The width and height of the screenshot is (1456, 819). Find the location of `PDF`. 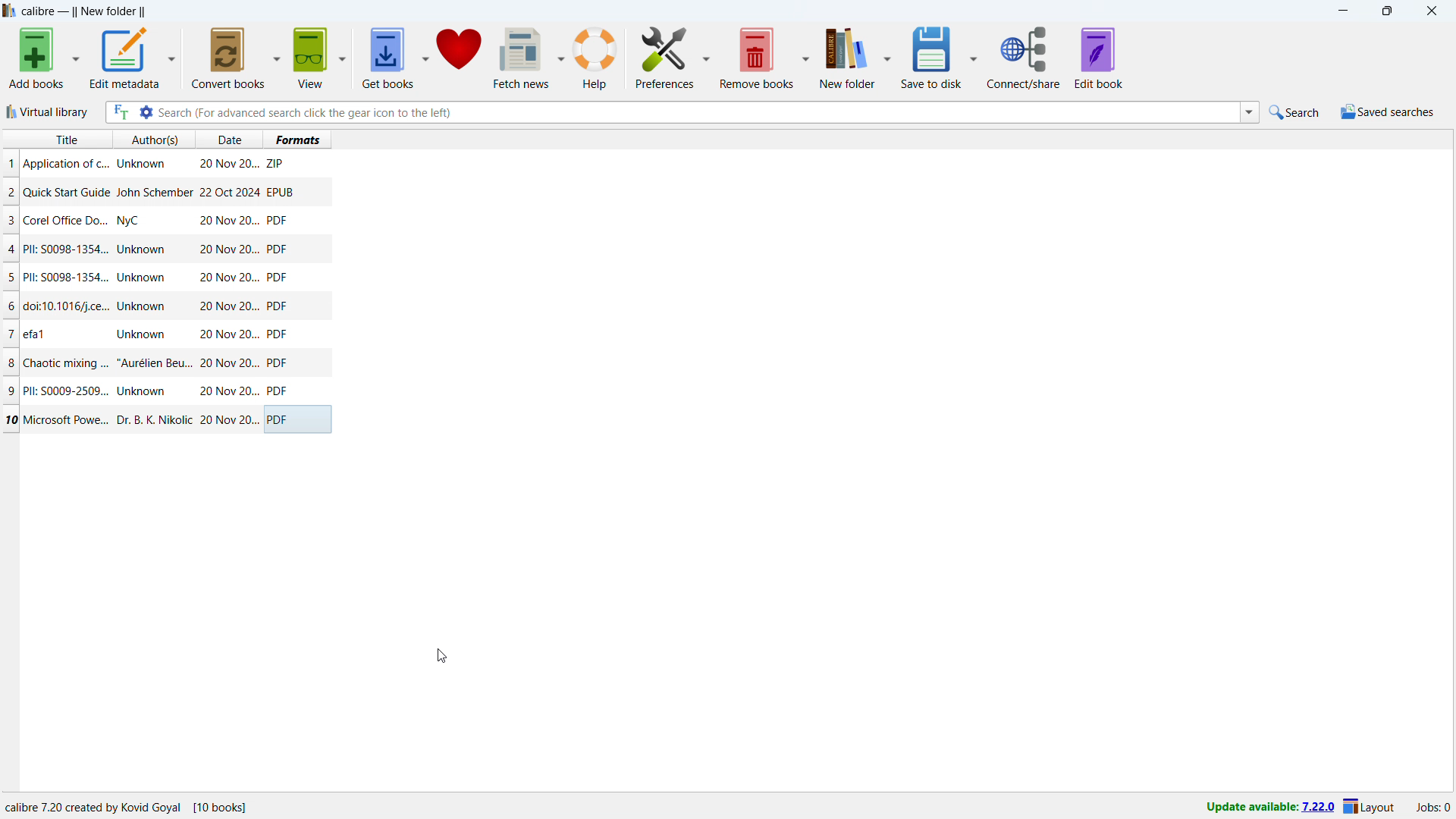

PDF is located at coordinates (279, 221).